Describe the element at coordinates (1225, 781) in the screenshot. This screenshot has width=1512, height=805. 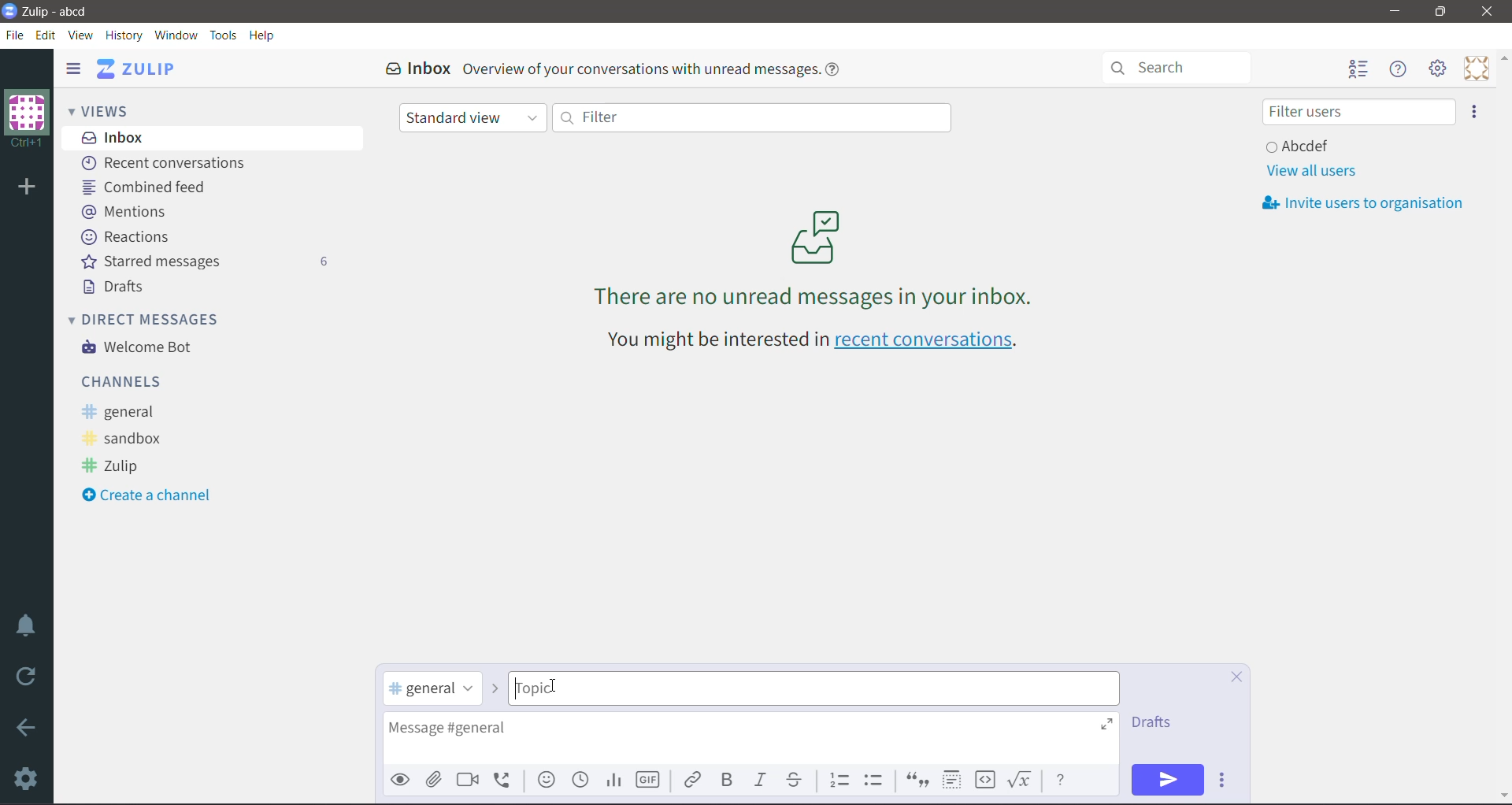
I see `Send Options` at that location.